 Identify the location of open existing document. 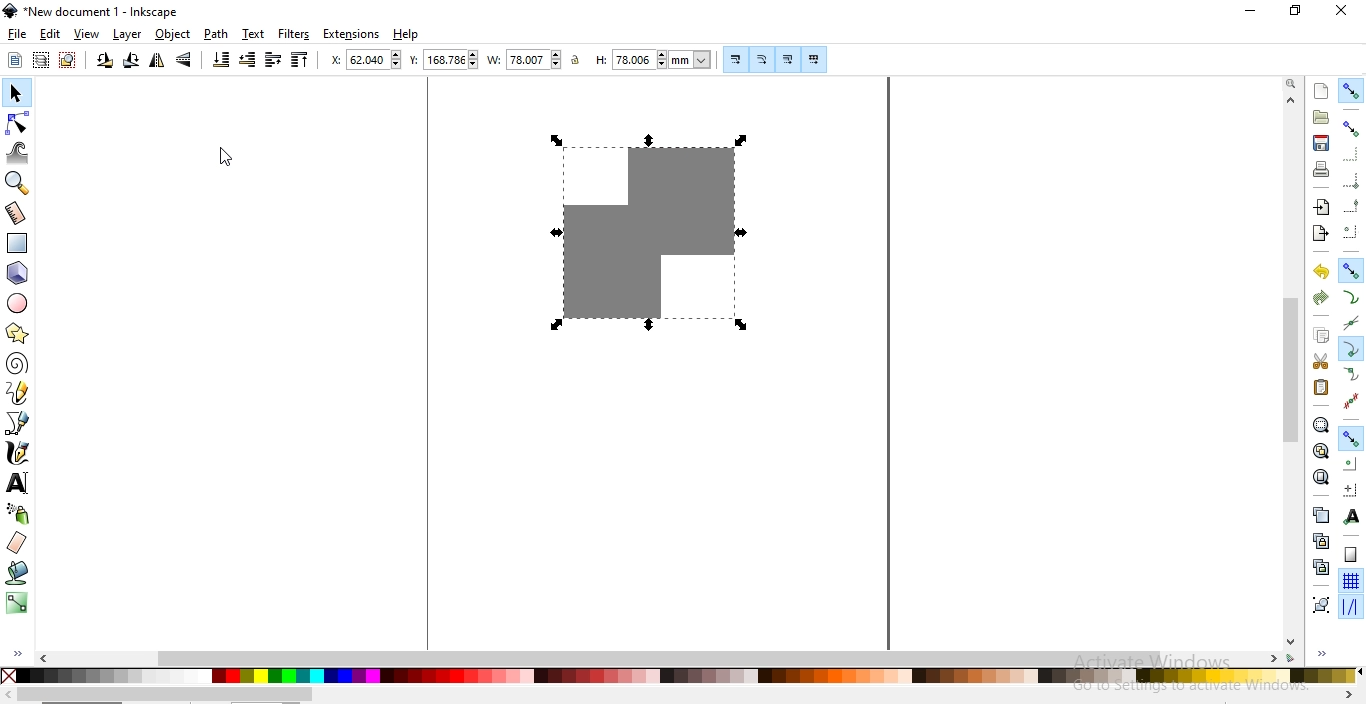
(1321, 117).